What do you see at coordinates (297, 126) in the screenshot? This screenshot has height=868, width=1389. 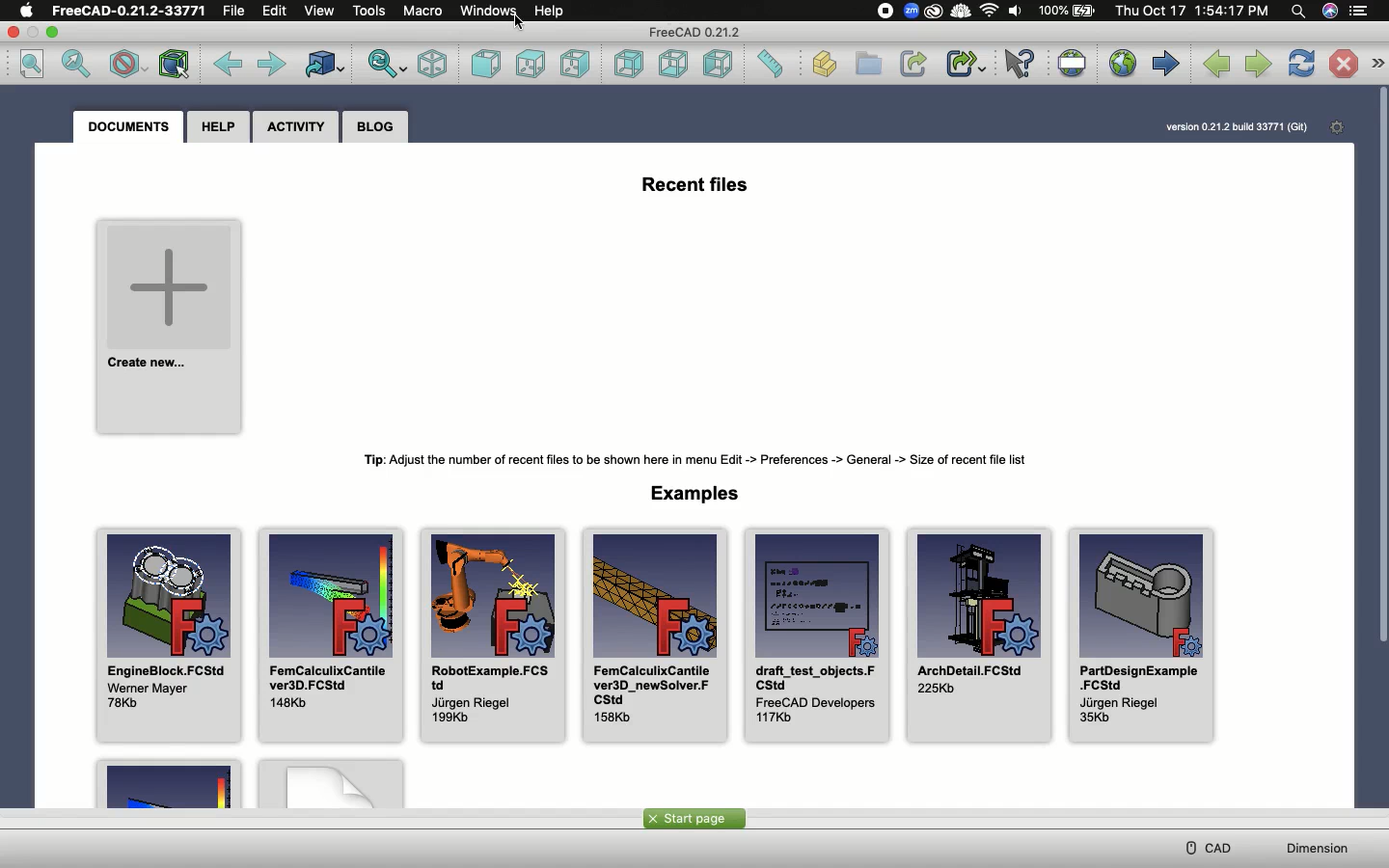 I see `Activity` at bounding box center [297, 126].